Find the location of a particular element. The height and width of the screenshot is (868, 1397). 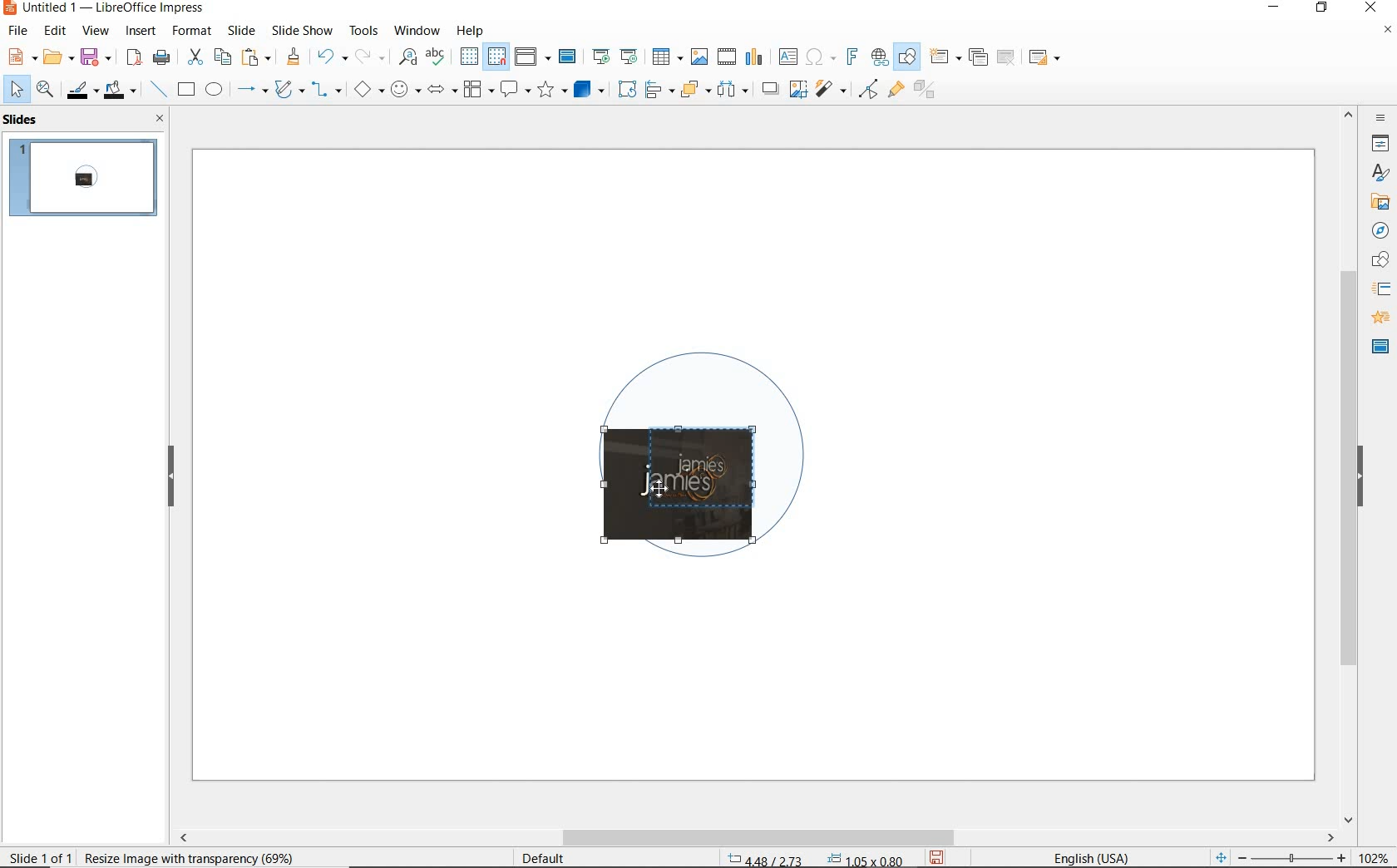

align objects is located at coordinates (655, 88).